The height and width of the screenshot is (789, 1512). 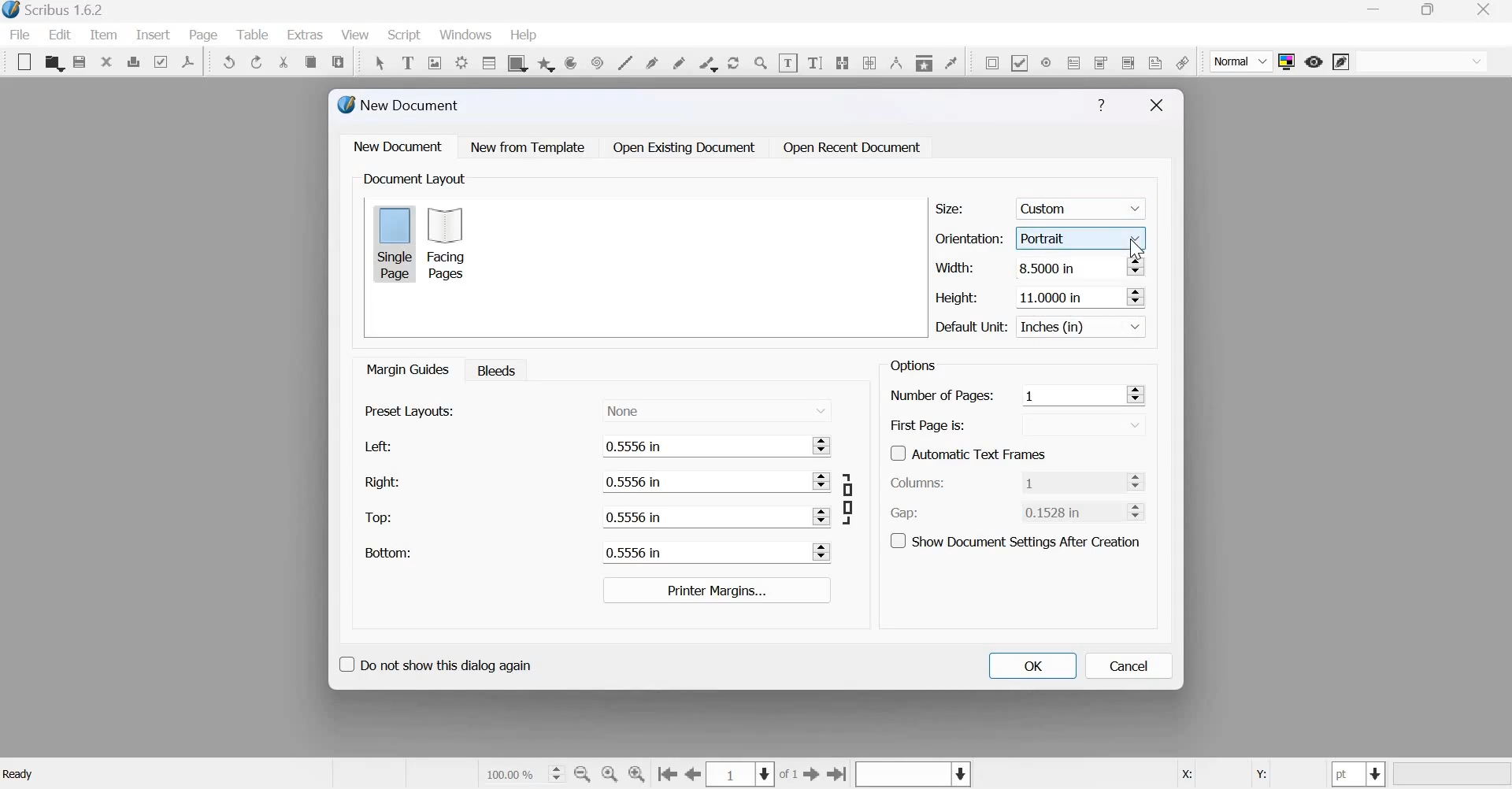 What do you see at coordinates (204, 35) in the screenshot?
I see `page` at bounding box center [204, 35].